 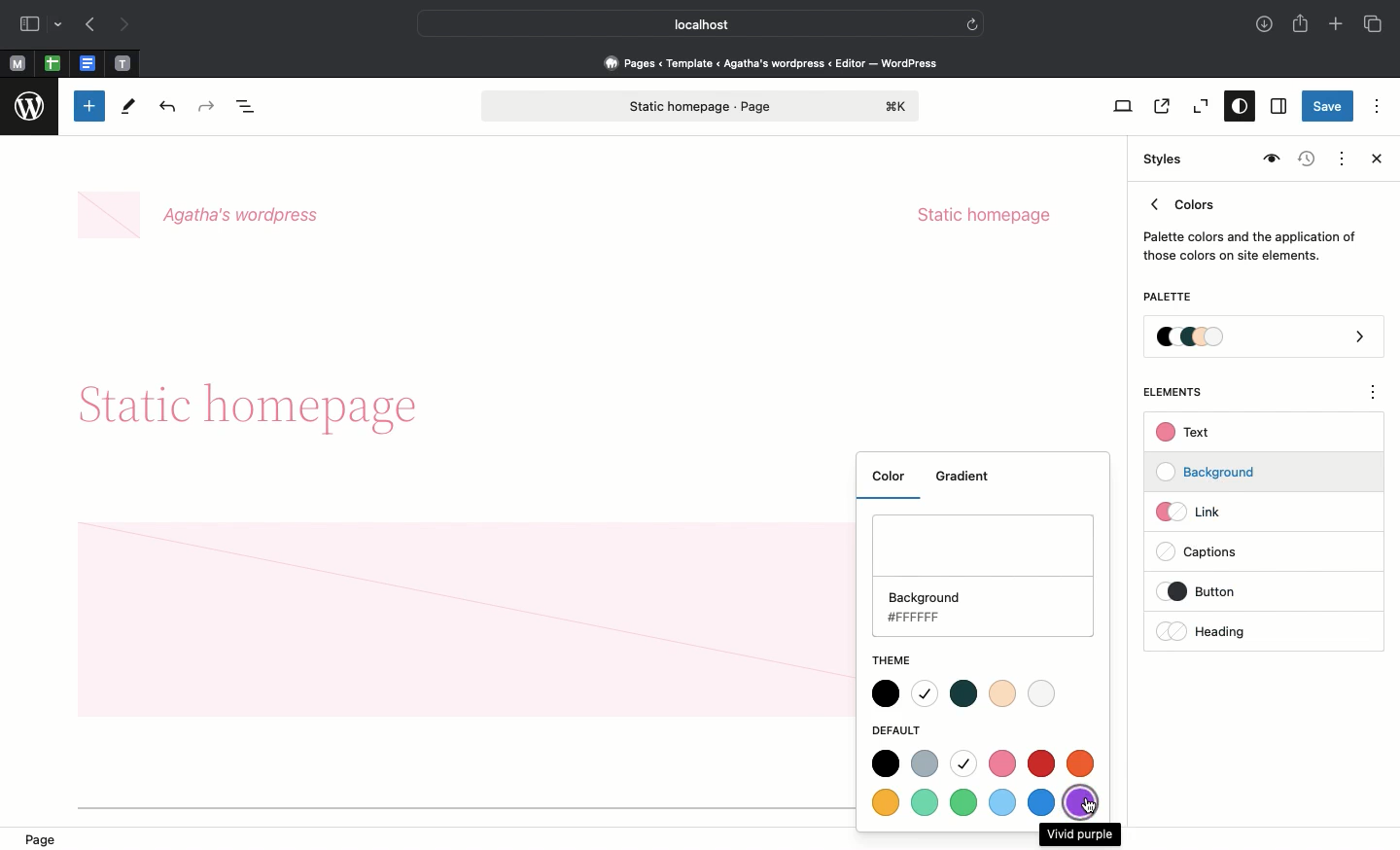 I want to click on Pinned tab, so click(x=52, y=64).